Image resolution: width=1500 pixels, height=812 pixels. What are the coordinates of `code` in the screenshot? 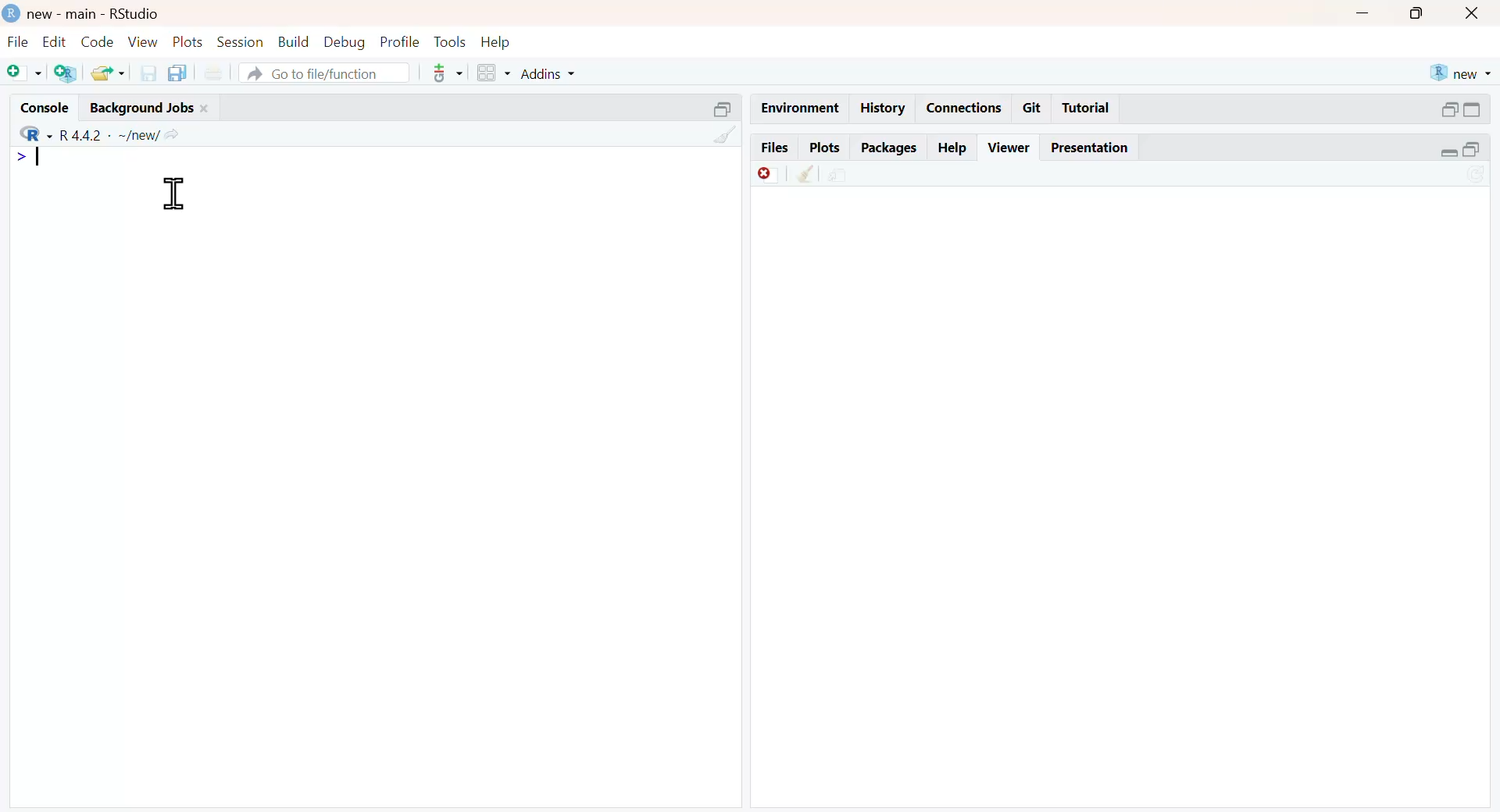 It's located at (98, 41).